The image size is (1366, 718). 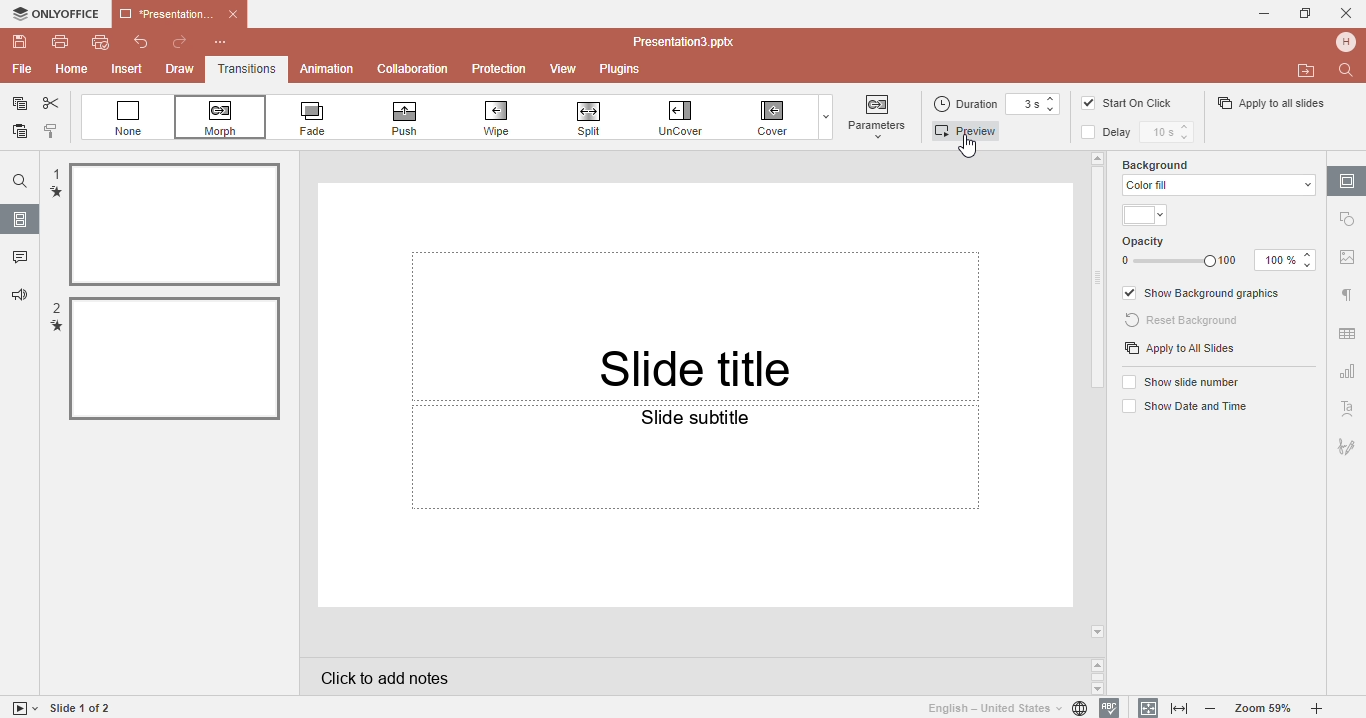 I want to click on Chart setting, so click(x=1346, y=374).